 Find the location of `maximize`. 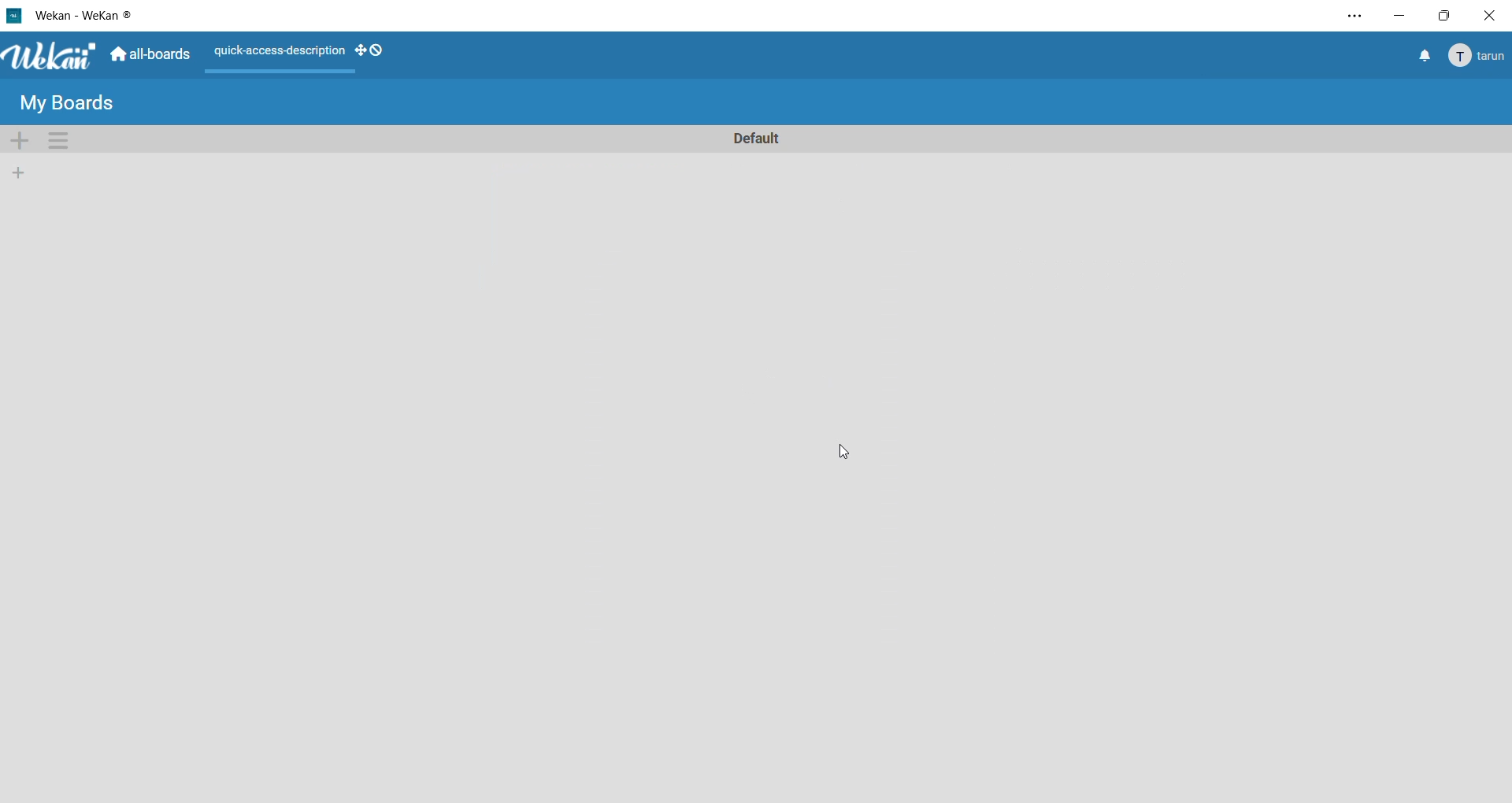

maximize is located at coordinates (1441, 18).